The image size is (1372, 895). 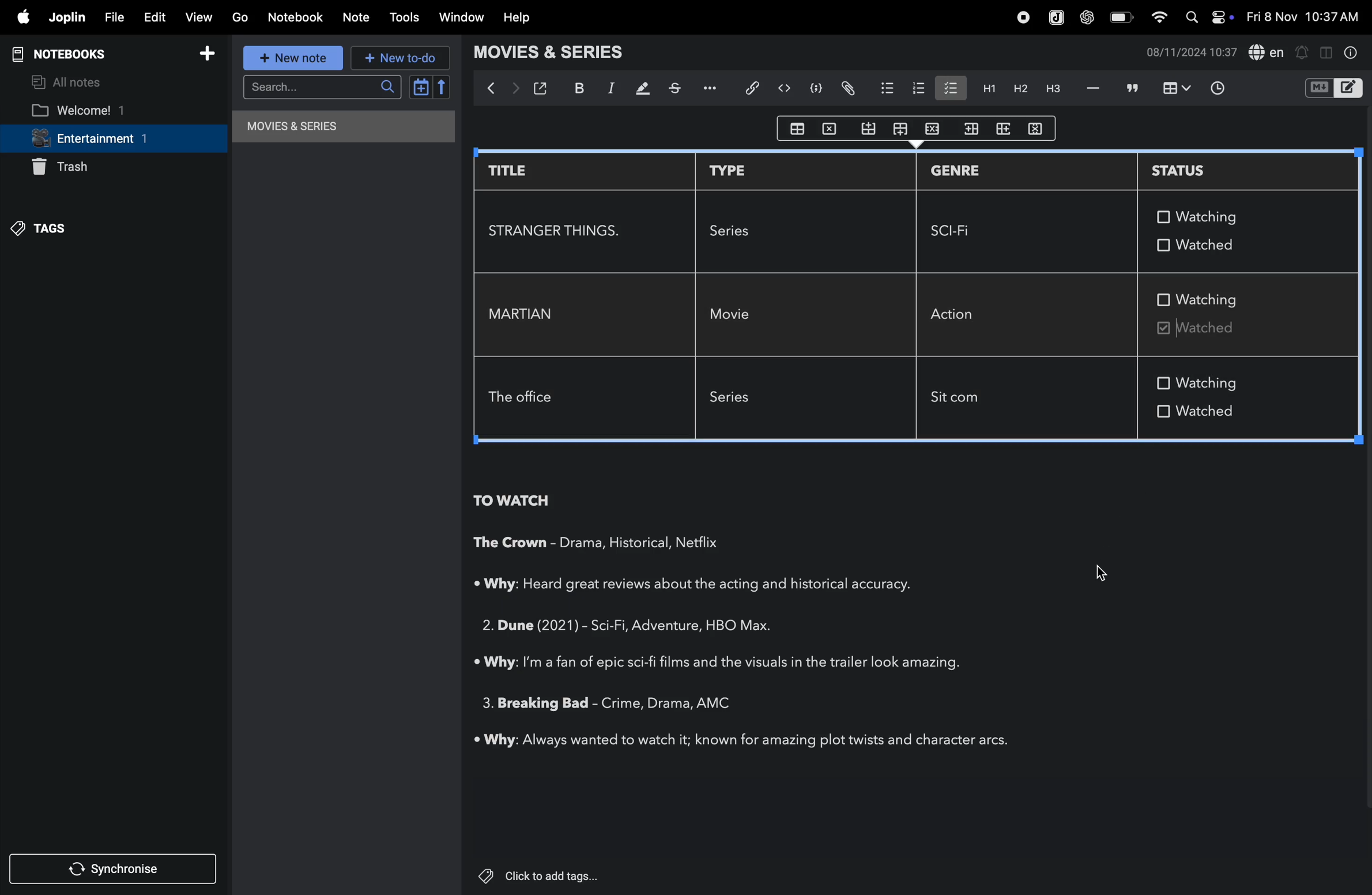 What do you see at coordinates (21, 17) in the screenshot?
I see `apple menu` at bounding box center [21, 17].